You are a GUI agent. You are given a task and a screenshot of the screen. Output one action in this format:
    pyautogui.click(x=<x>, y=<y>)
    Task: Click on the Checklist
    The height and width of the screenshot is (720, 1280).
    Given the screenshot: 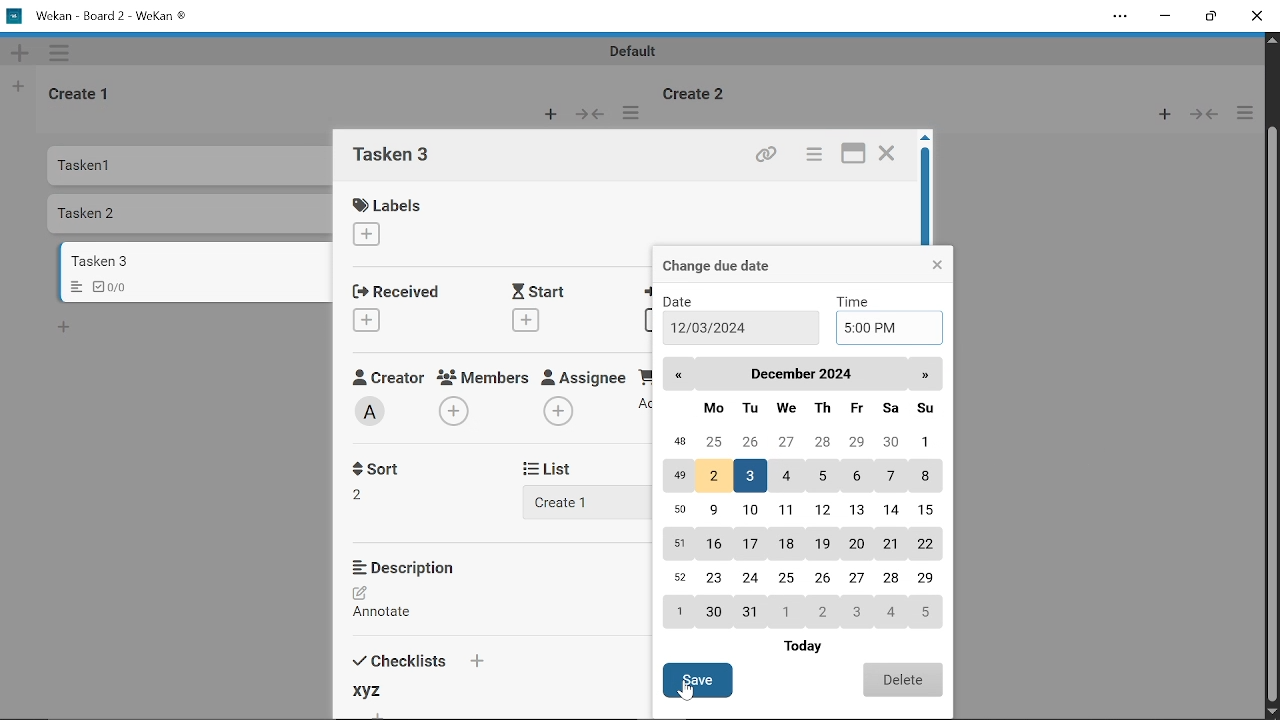 What is the action you would take?
    pyautogui.click(x=117, y=286)
    